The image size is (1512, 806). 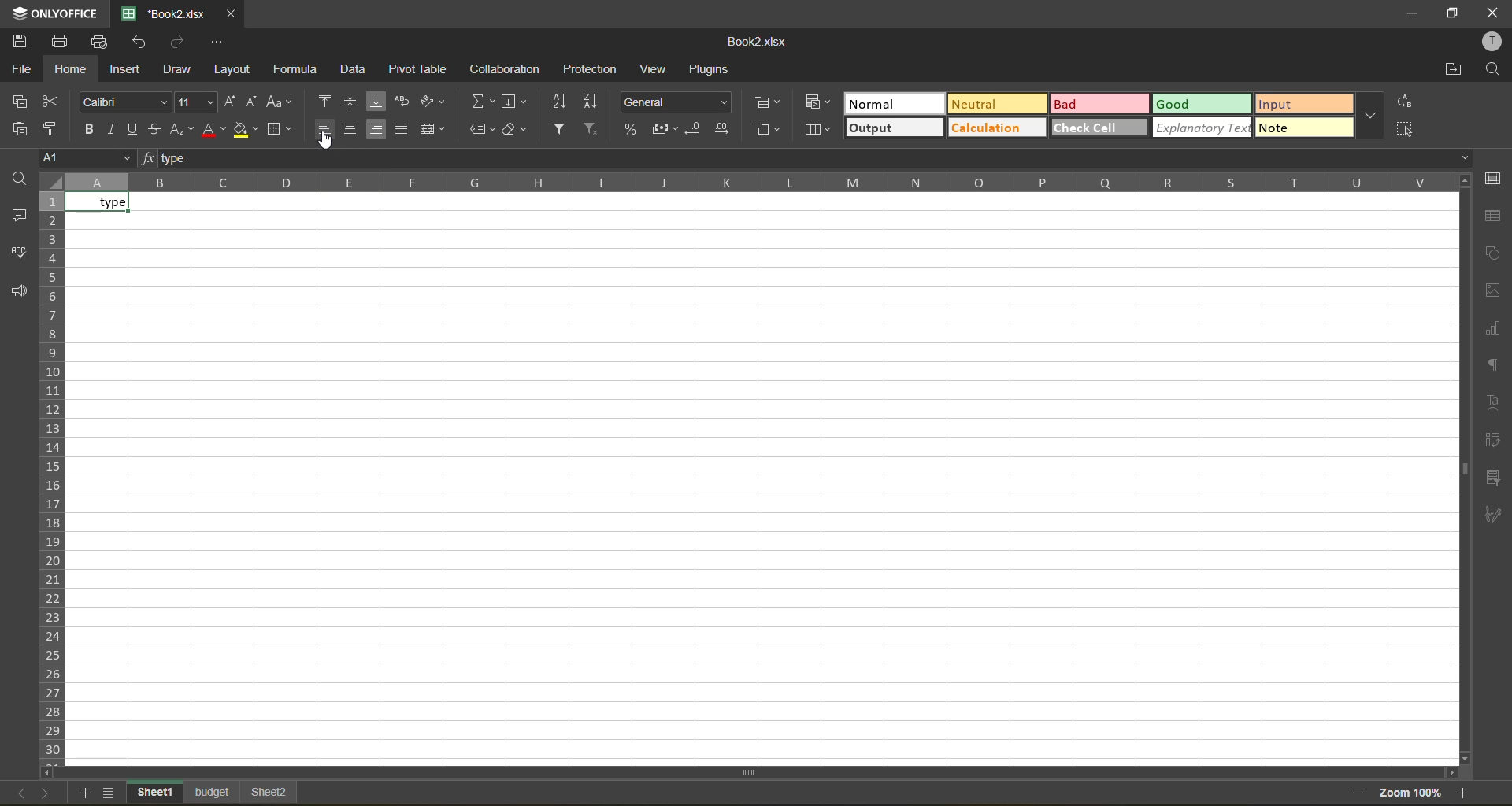 What do you see at coordinates (758, 183) in the screenshot?
I see `column names` at bounding box center [758, 183].